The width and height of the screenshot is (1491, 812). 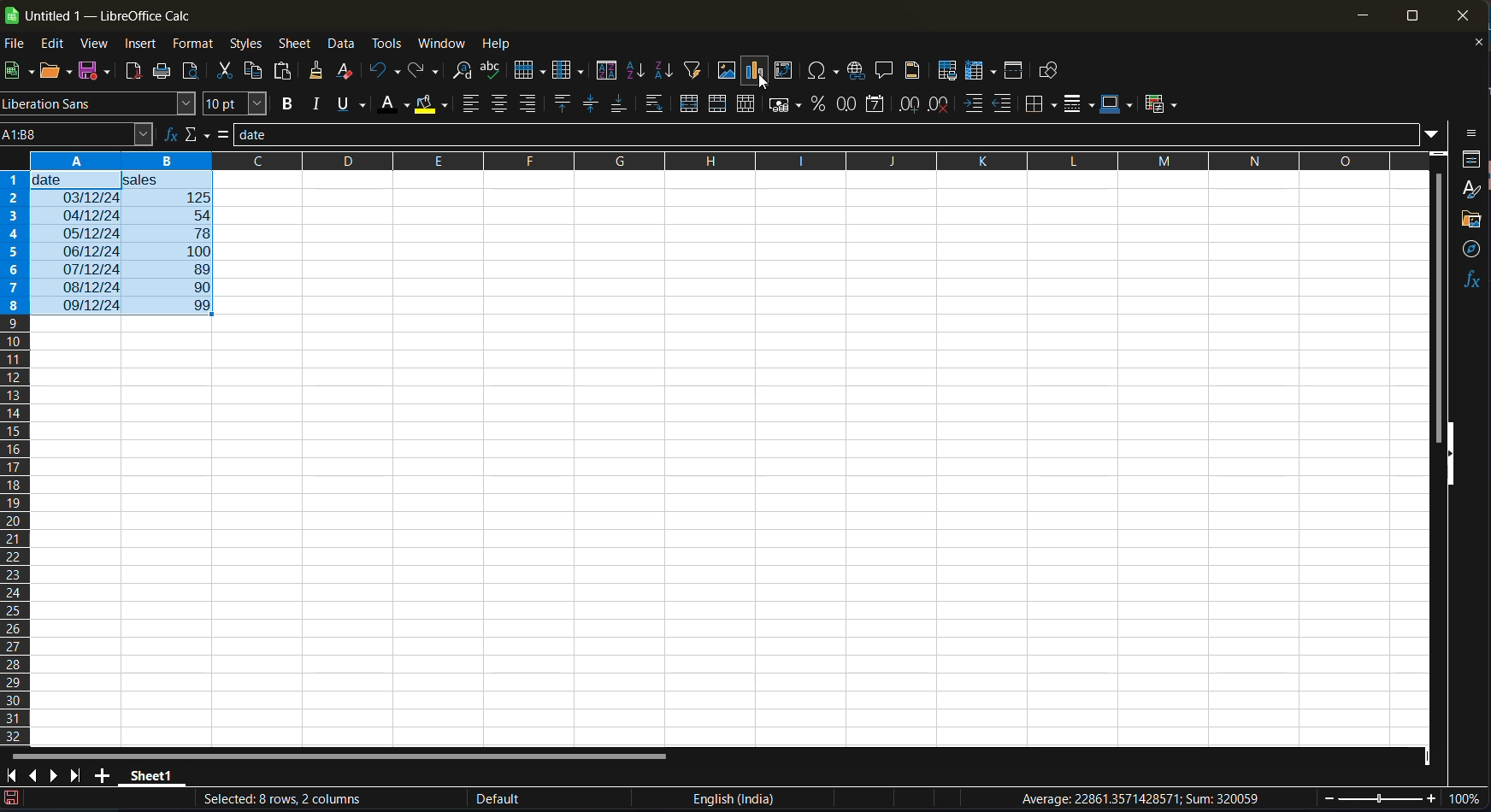 I want to click on file, so click(x=17, y=44).